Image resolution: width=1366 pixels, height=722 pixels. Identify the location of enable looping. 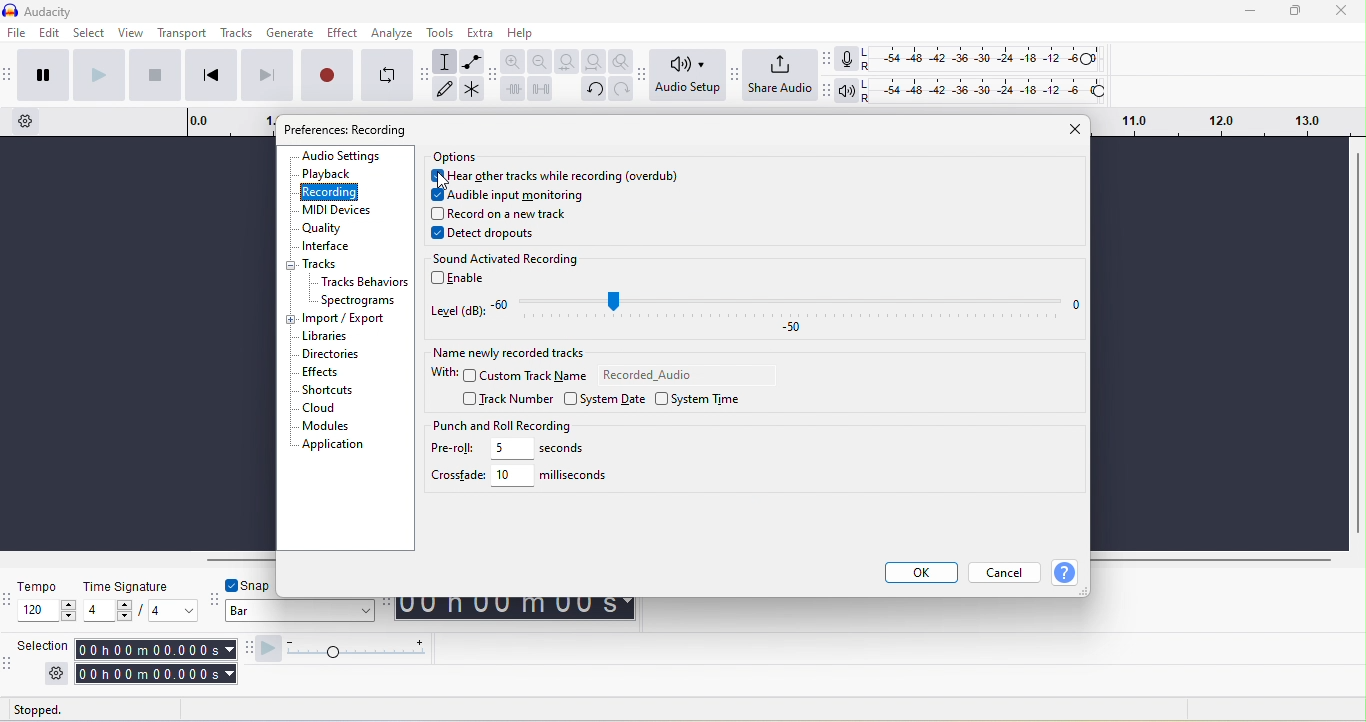
(388, 76).